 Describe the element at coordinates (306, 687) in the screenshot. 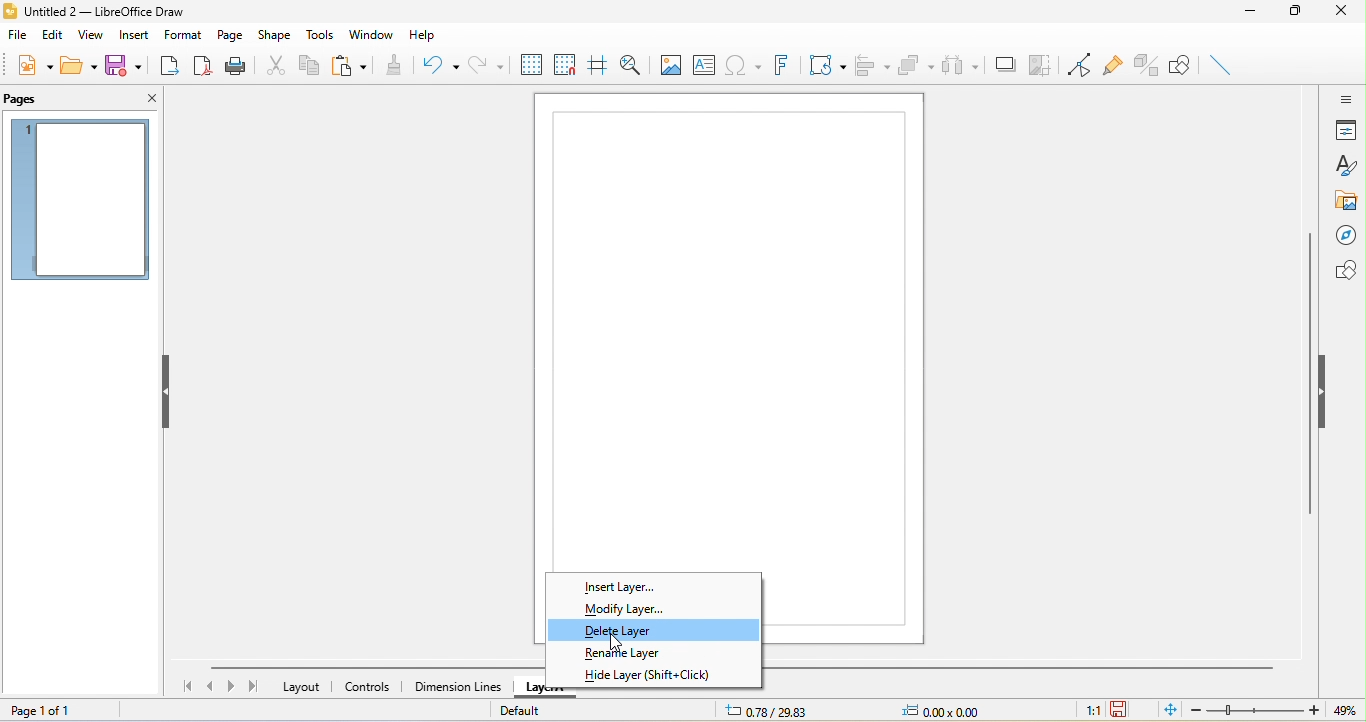

I see `layout` at that location.